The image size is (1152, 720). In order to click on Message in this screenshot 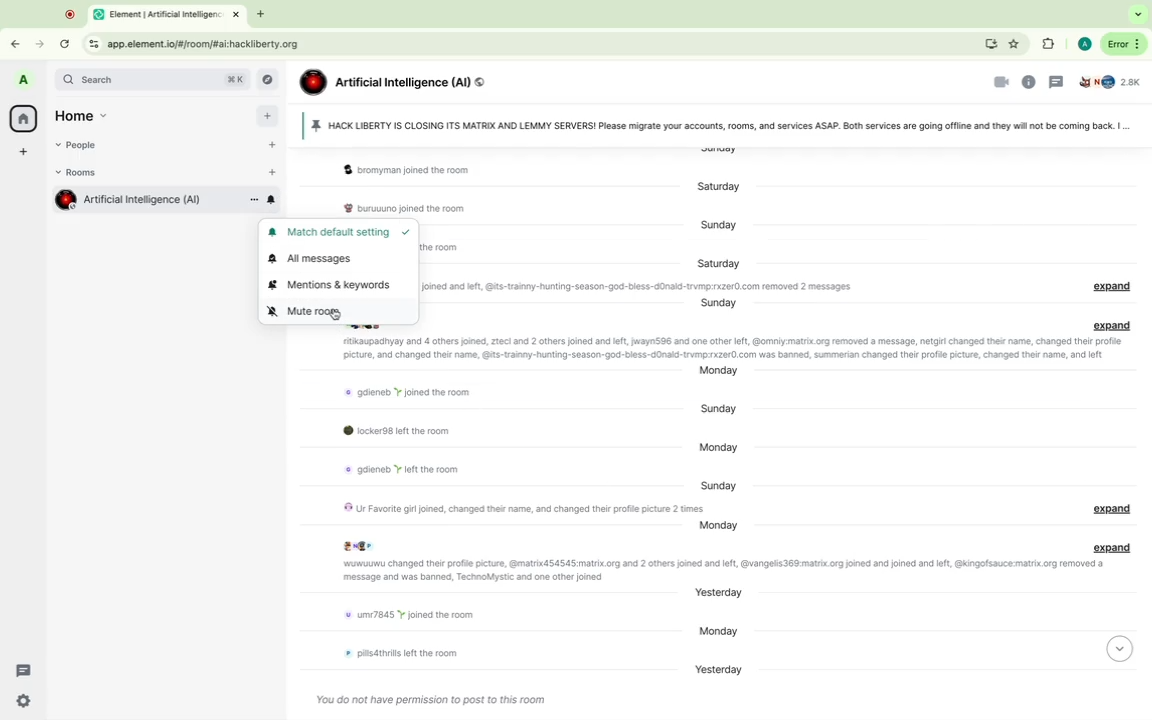, I will do `click(433, 172)`.